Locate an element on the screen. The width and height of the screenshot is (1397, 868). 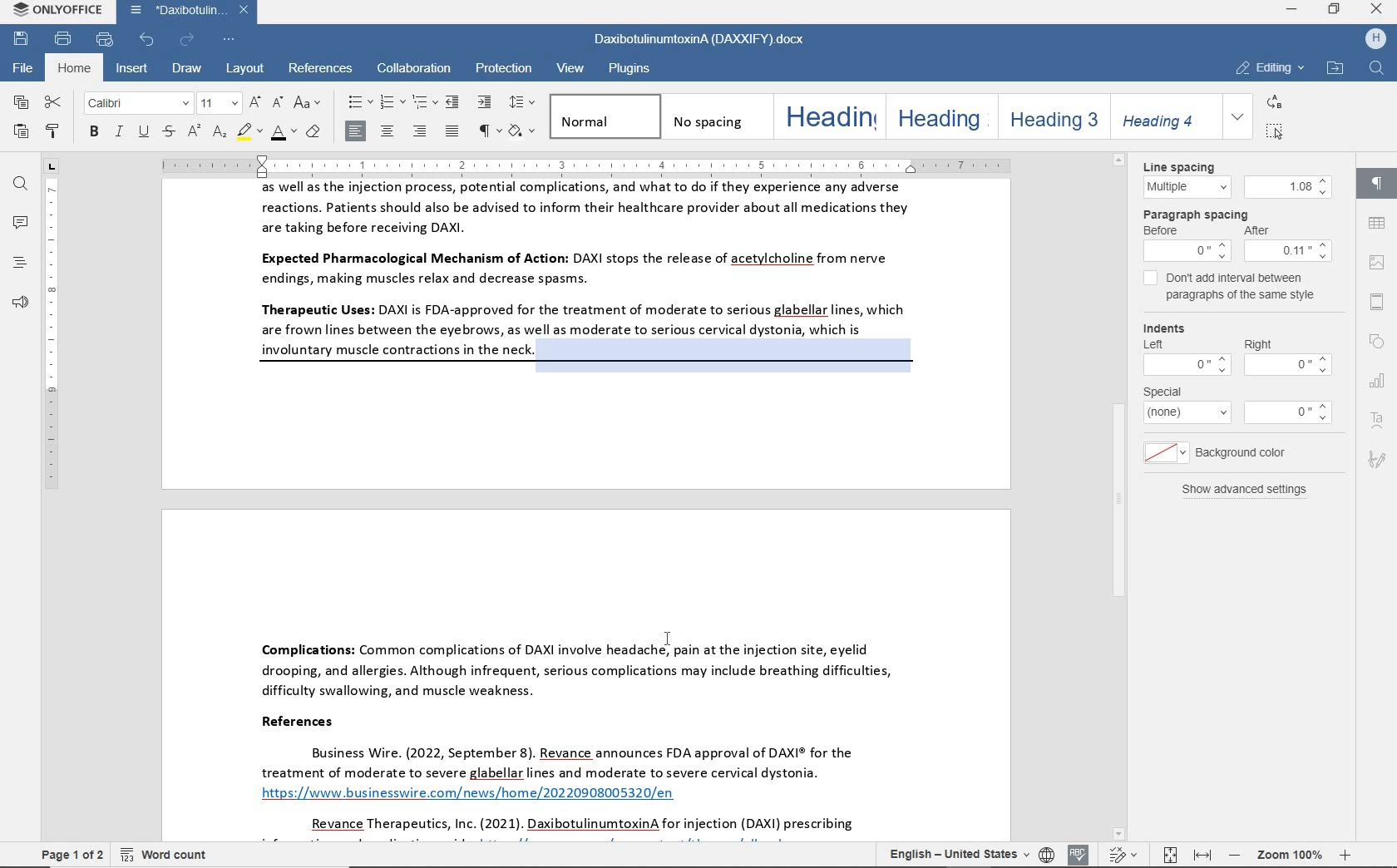
find is located at coordinates (1375, 70).